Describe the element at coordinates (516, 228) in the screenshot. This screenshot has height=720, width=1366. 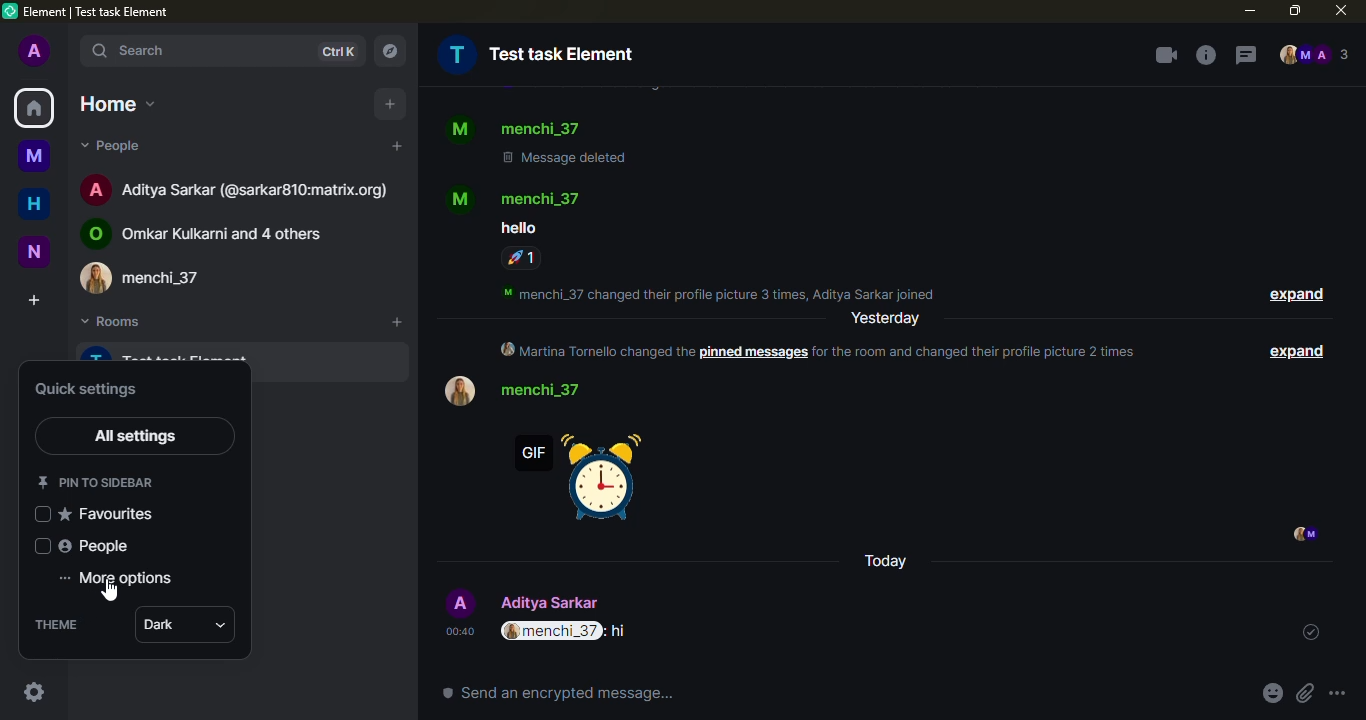
I see `message` at that location.